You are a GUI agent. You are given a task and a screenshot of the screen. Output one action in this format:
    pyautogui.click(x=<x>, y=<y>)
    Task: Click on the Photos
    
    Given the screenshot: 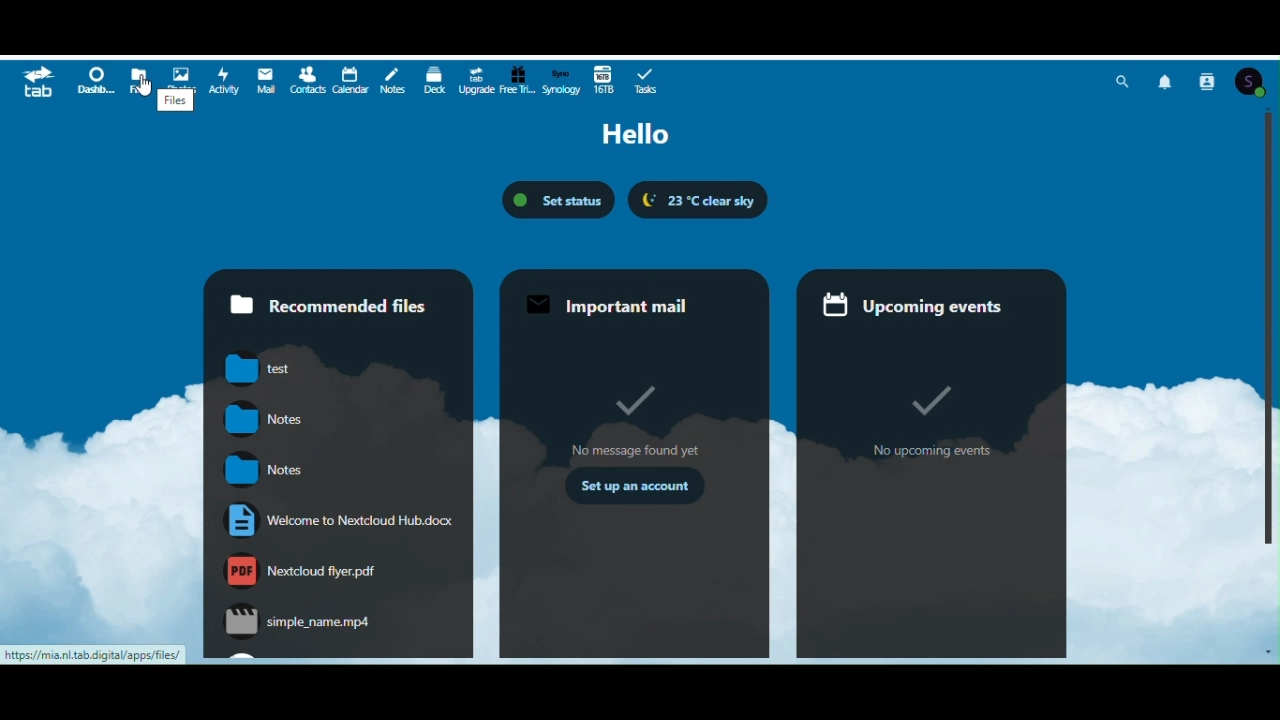 What is the action you would take?
    pyautogui.click(x=186, y=72)
    